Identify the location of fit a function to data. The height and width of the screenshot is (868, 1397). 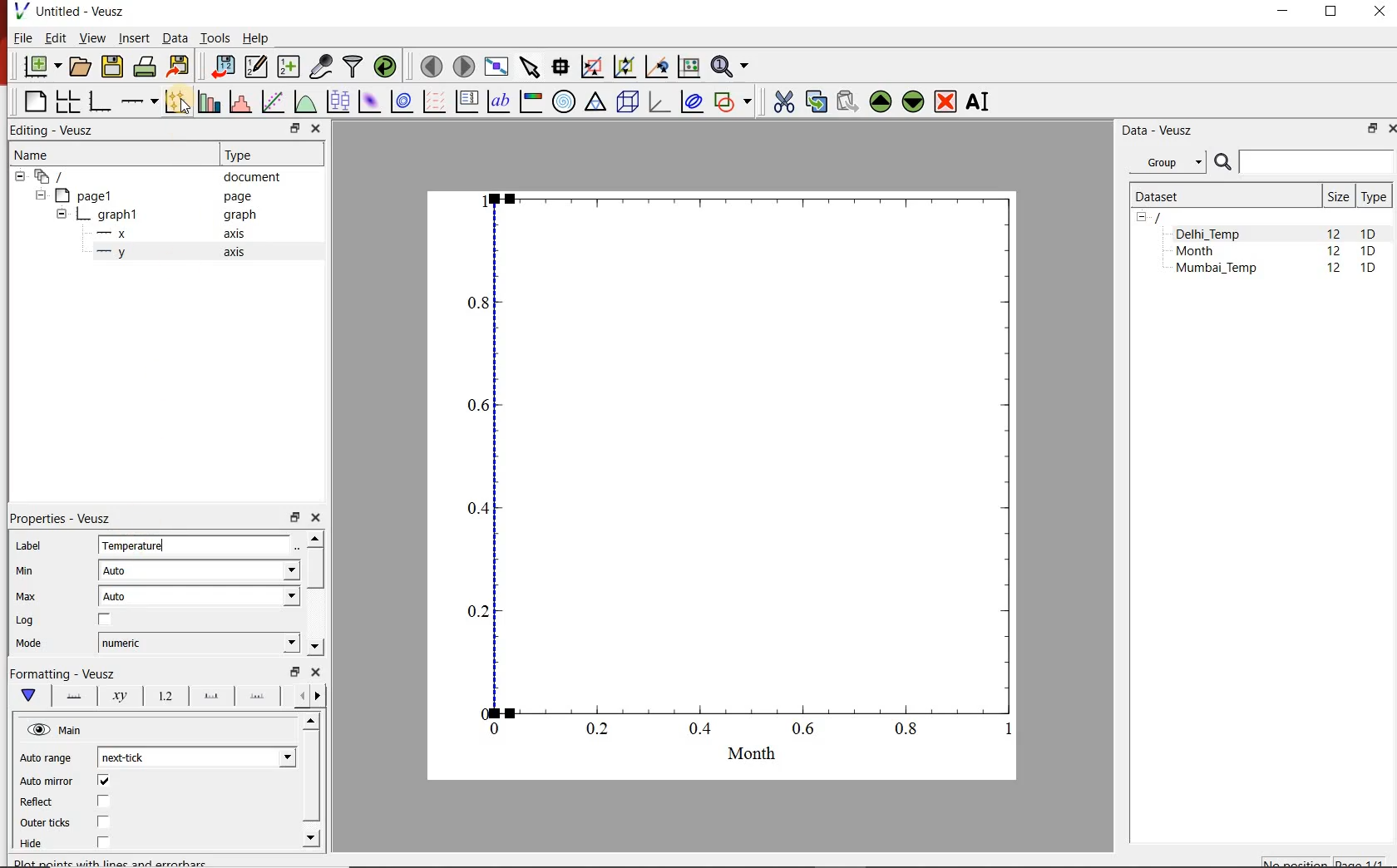
(272, 101).